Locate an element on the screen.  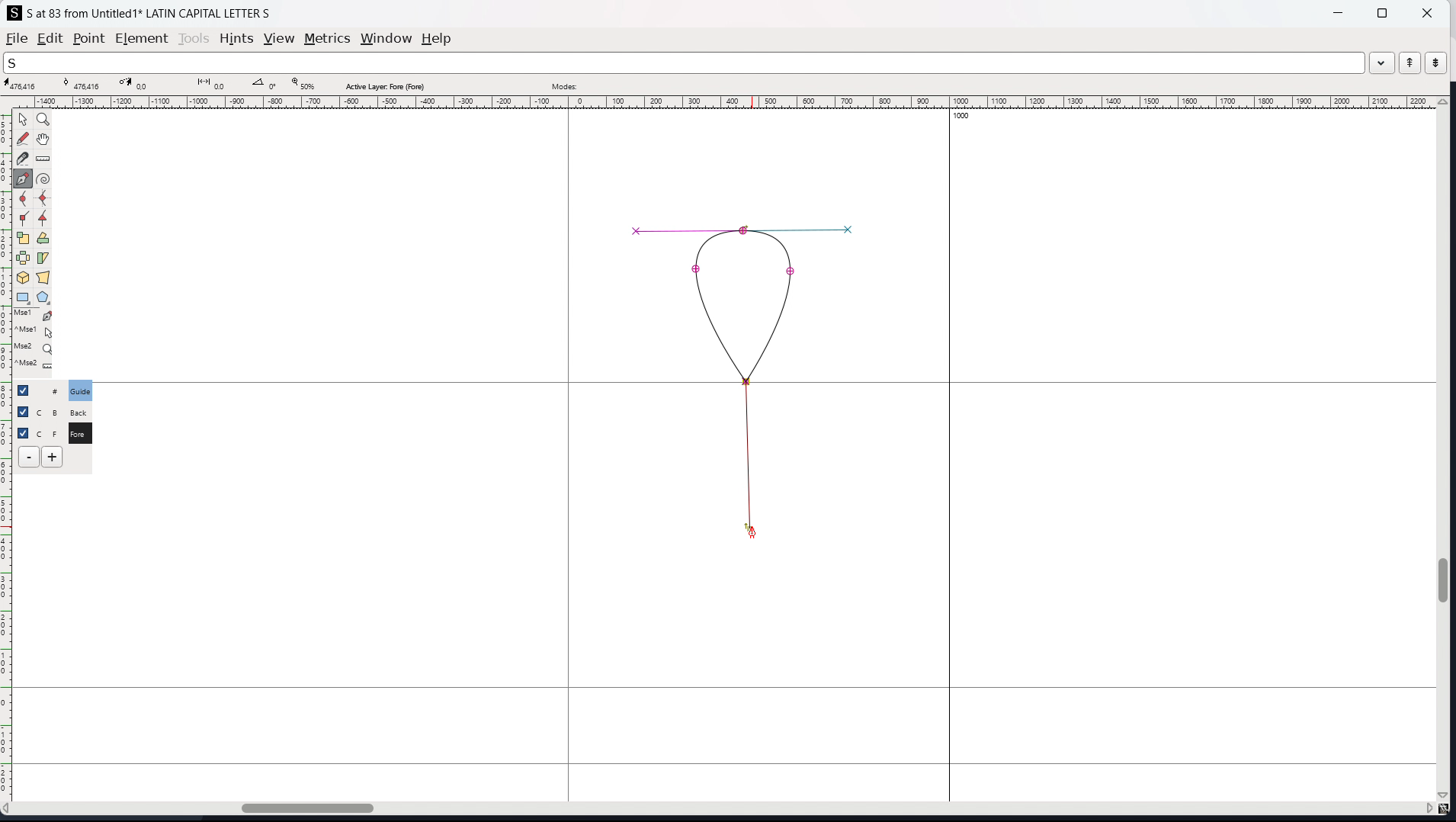
view is located at coordinates (279, 39).